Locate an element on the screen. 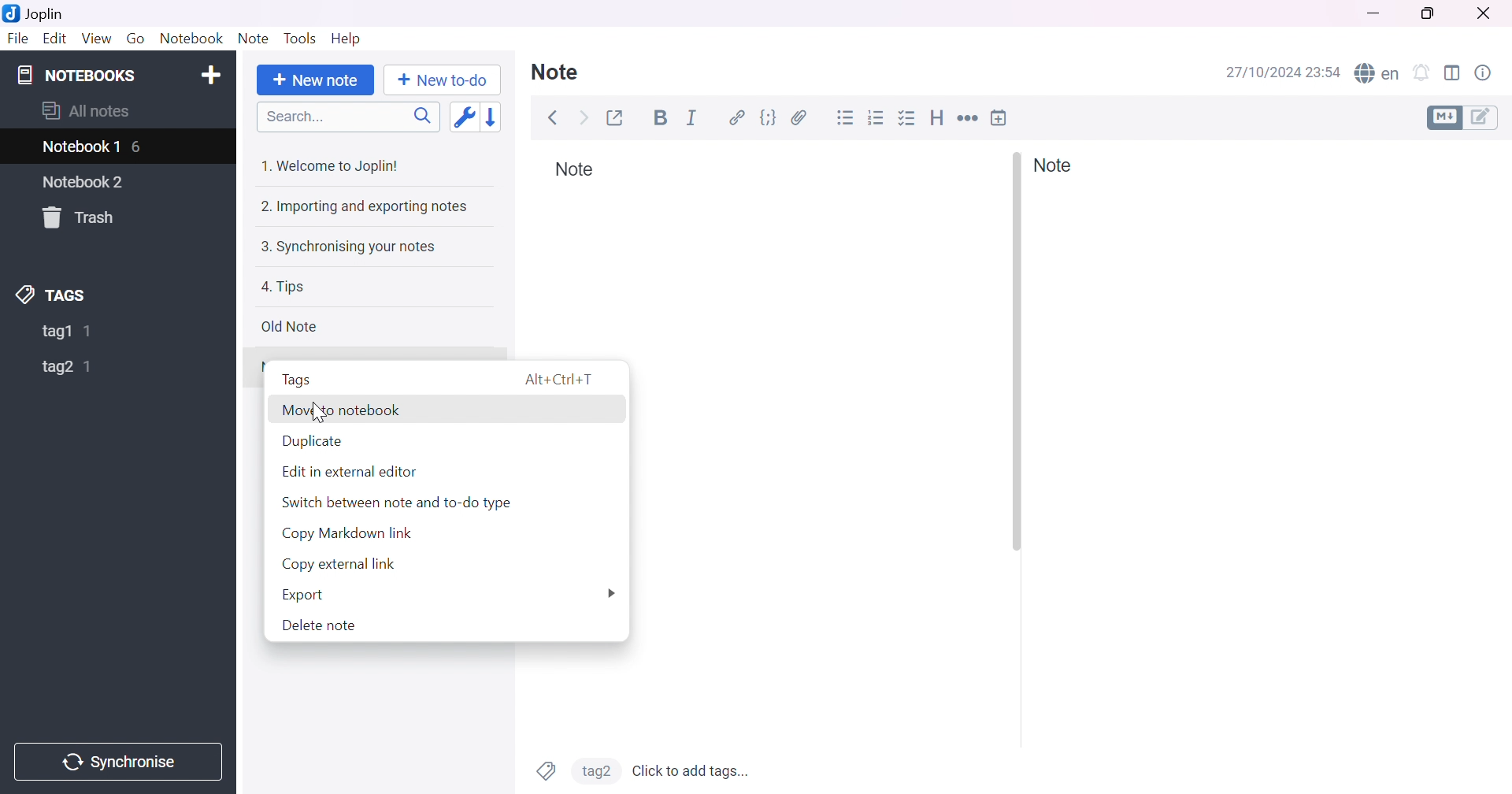 This screenshot has height=794, width=1512. Heading is located at coordinates (939, 118).